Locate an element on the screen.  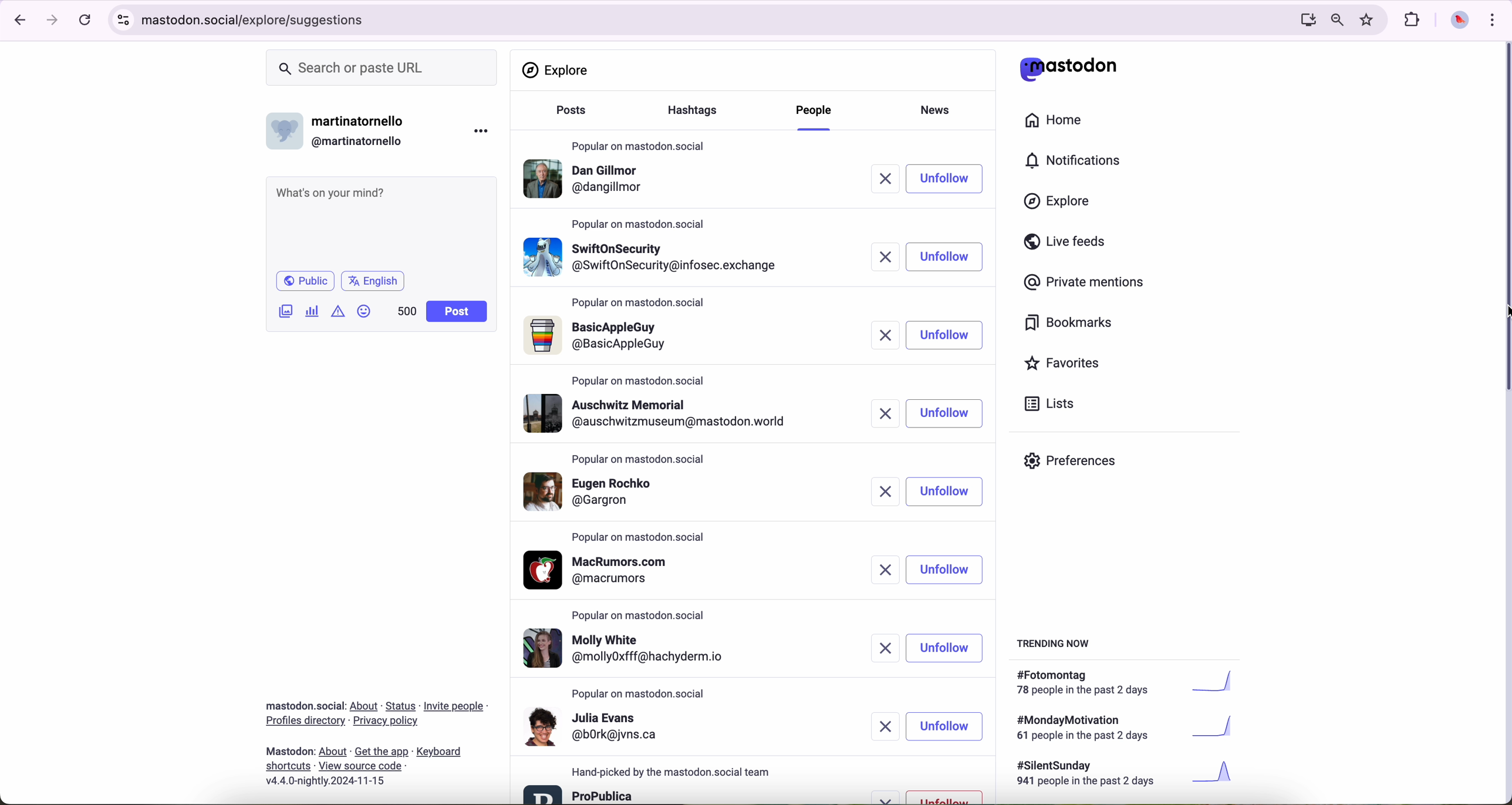
matodon logo is located at coordinates (1069, 69).